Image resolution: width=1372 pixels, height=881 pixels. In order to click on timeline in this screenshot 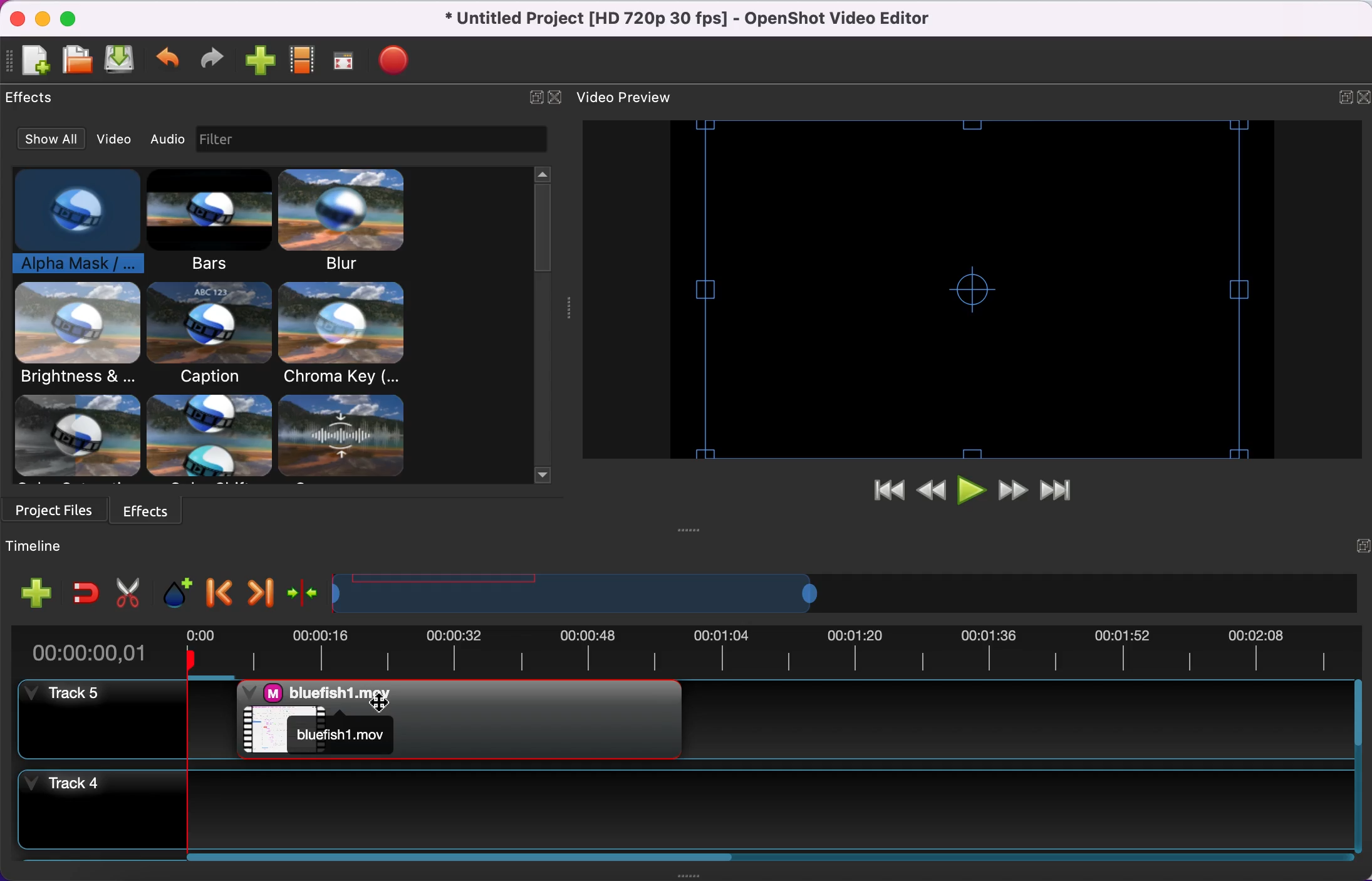, I will do `click(61, 548)`.